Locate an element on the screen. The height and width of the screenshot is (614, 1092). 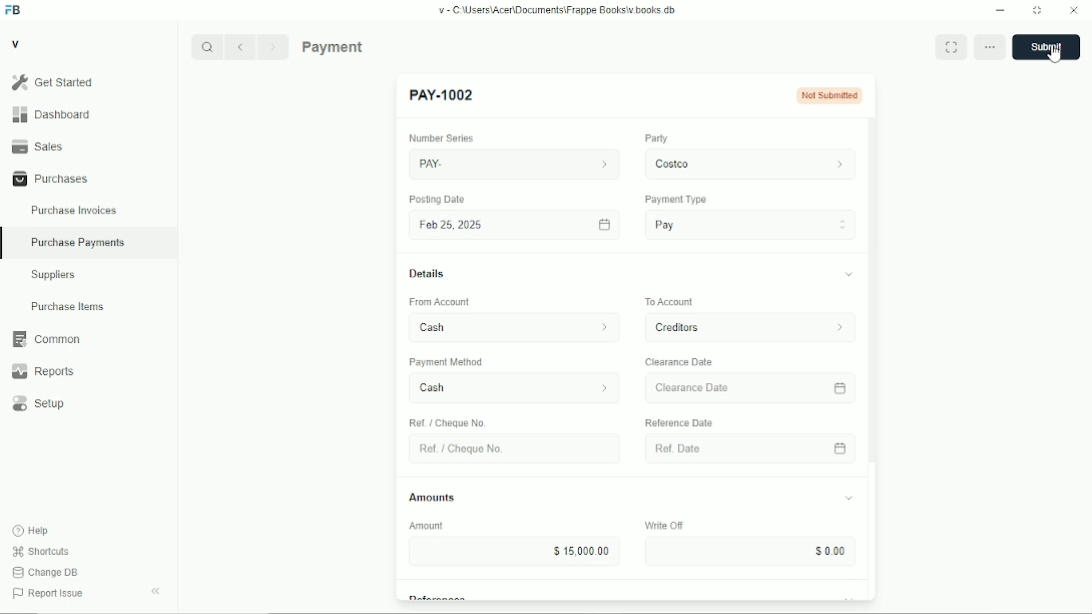
Clearance Date is located at coordinates (683, 362).